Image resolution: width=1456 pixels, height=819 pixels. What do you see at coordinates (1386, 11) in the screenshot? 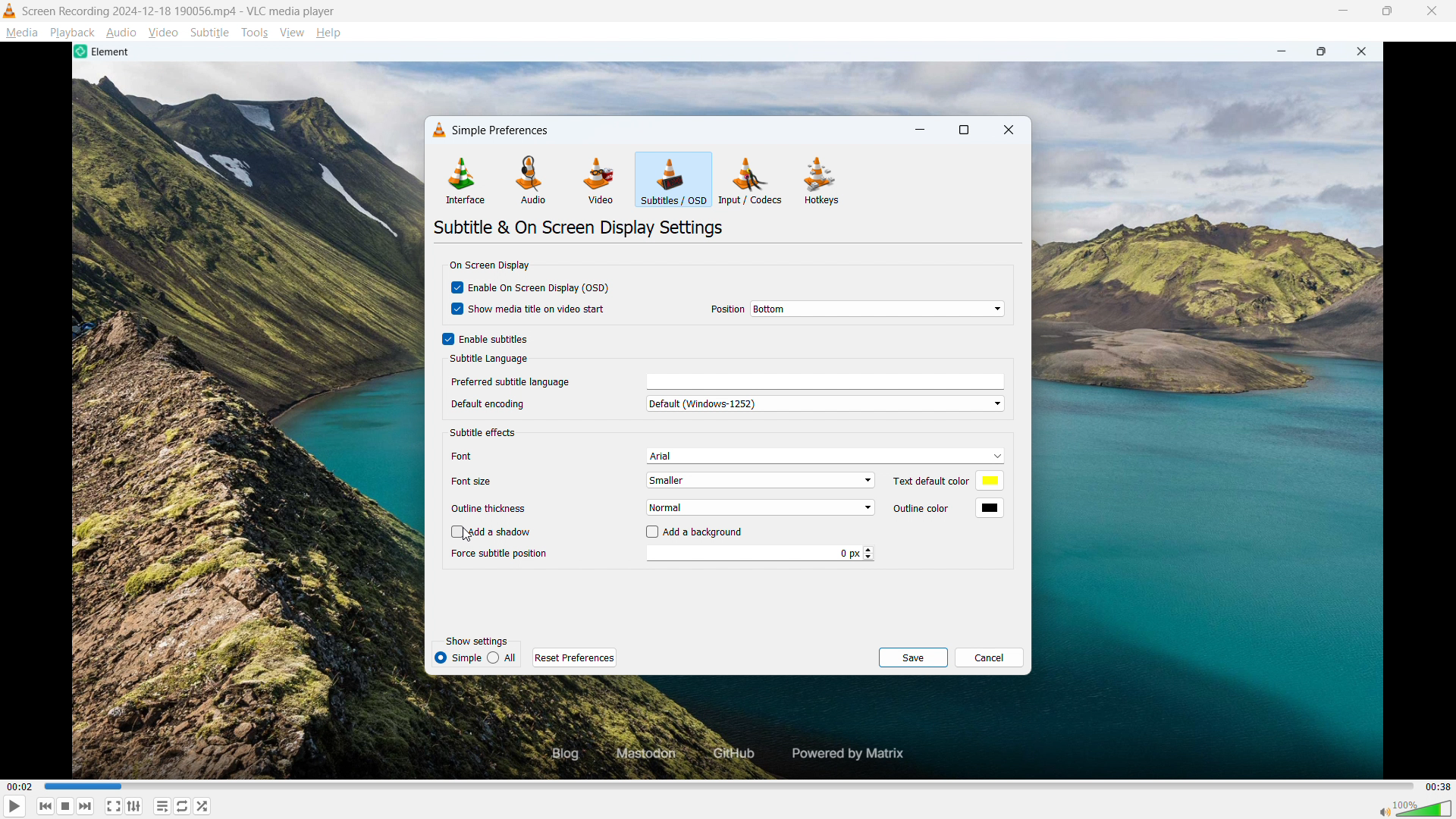
I see `Maximise ` at bounding box center [1386, 11].